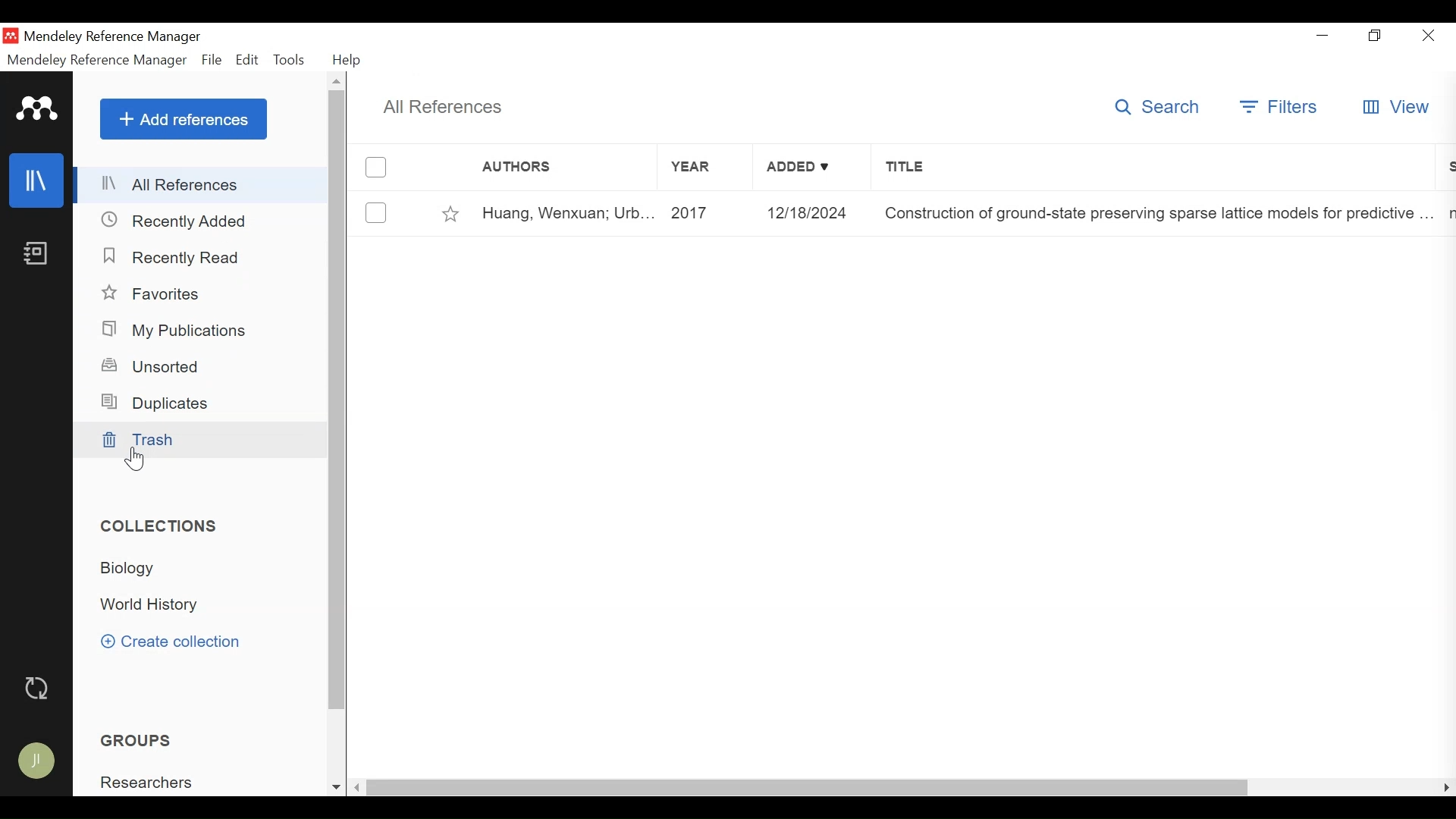  What do you see at coordinates (147, 739) in the screenshot?
I see `Group` at bounding box center [147, 739].